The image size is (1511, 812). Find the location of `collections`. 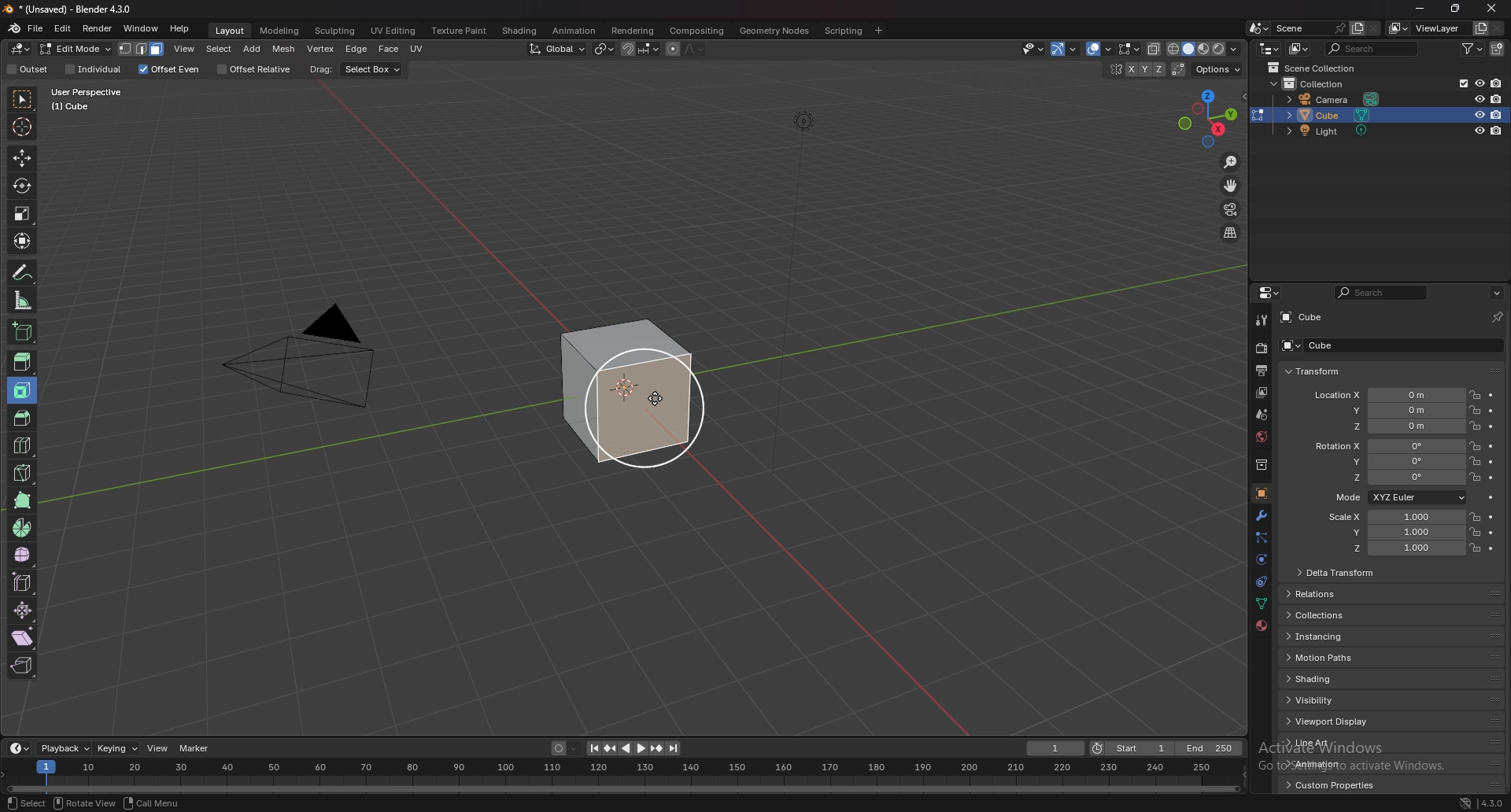

collections is located at coordinates (1327, 615).